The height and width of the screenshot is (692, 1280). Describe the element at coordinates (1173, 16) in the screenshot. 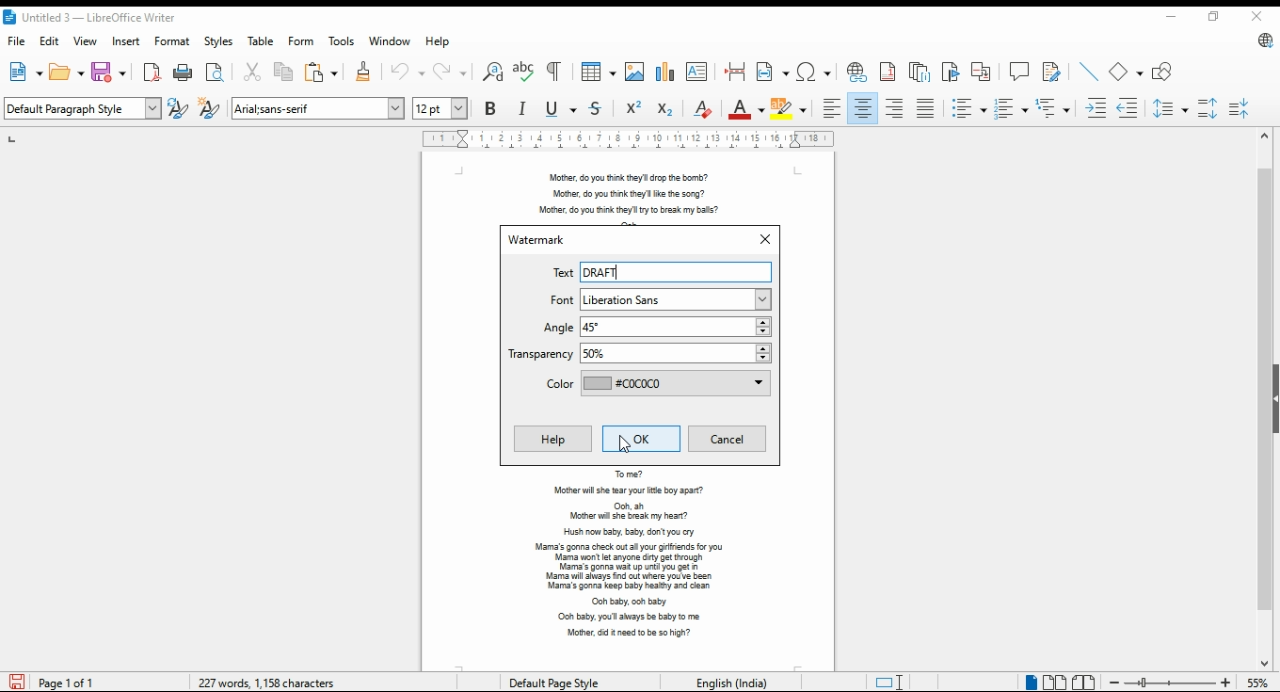

I see `minimize` at that location.